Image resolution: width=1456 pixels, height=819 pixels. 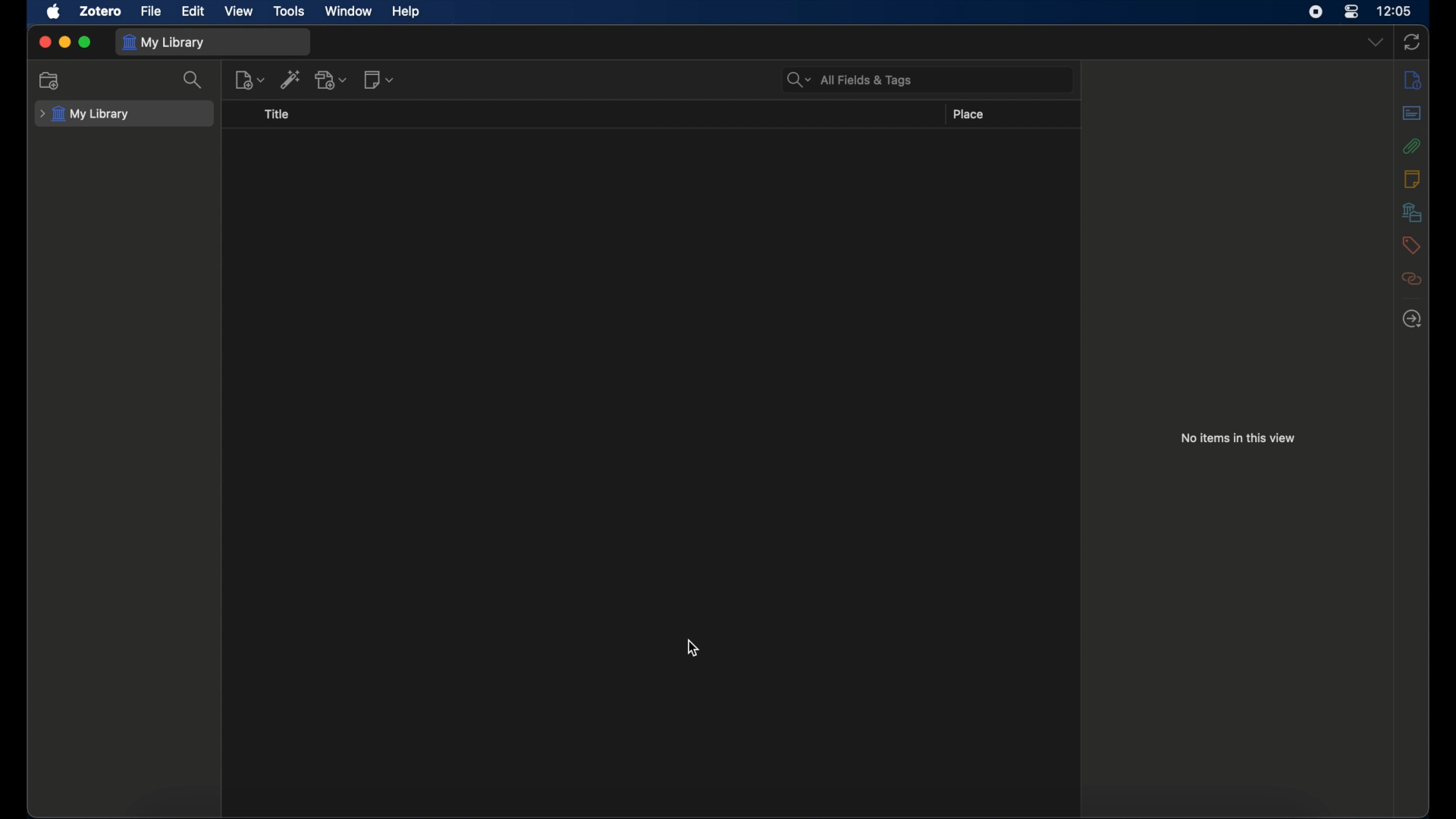 I want to click on sync, so click(x=1412, y=43).